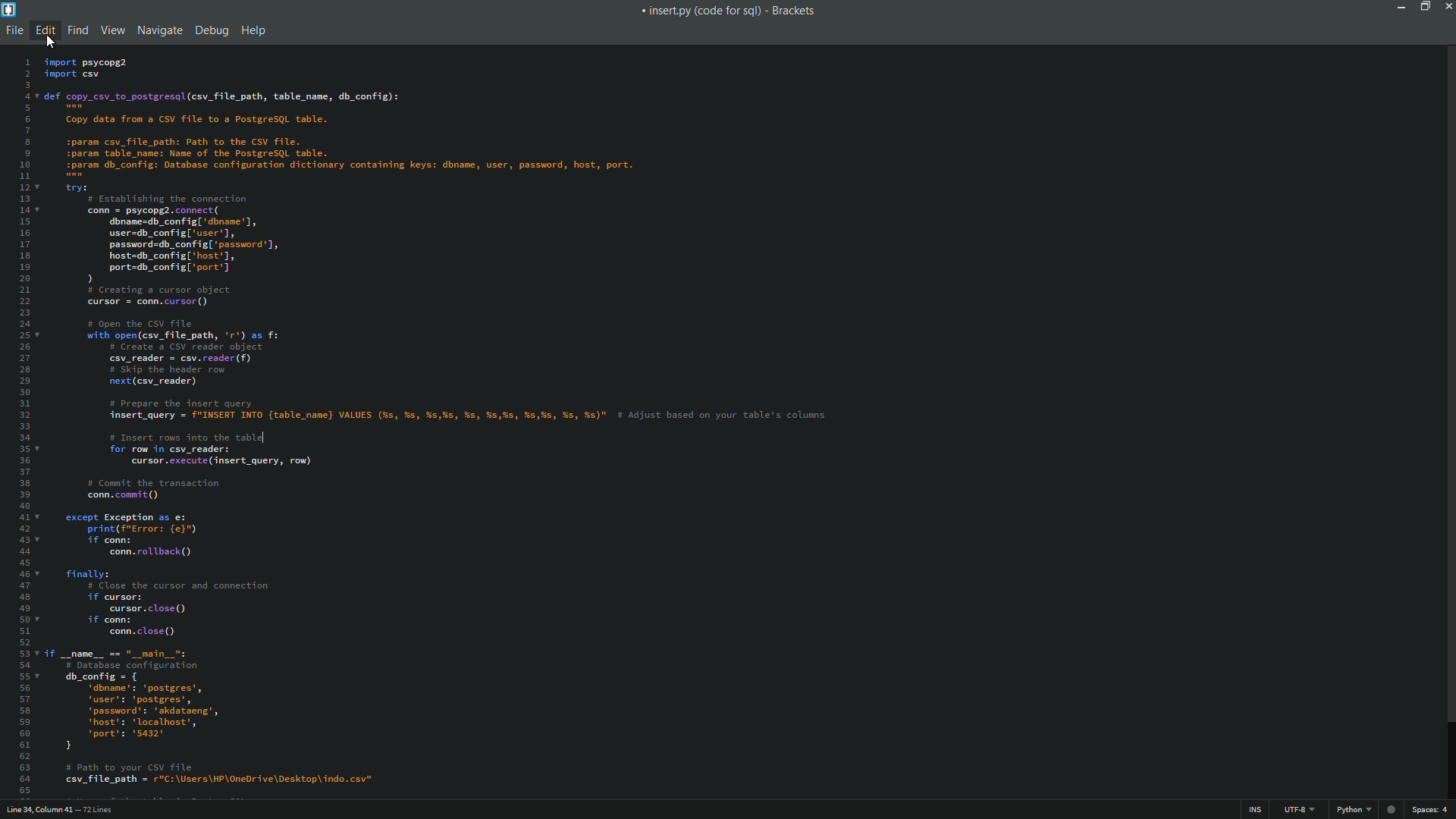 The width and height of the screenshot is (1456, 819). Describe the element at coordinates (254, 32) in the screenshot. I see `help menu` at that location.